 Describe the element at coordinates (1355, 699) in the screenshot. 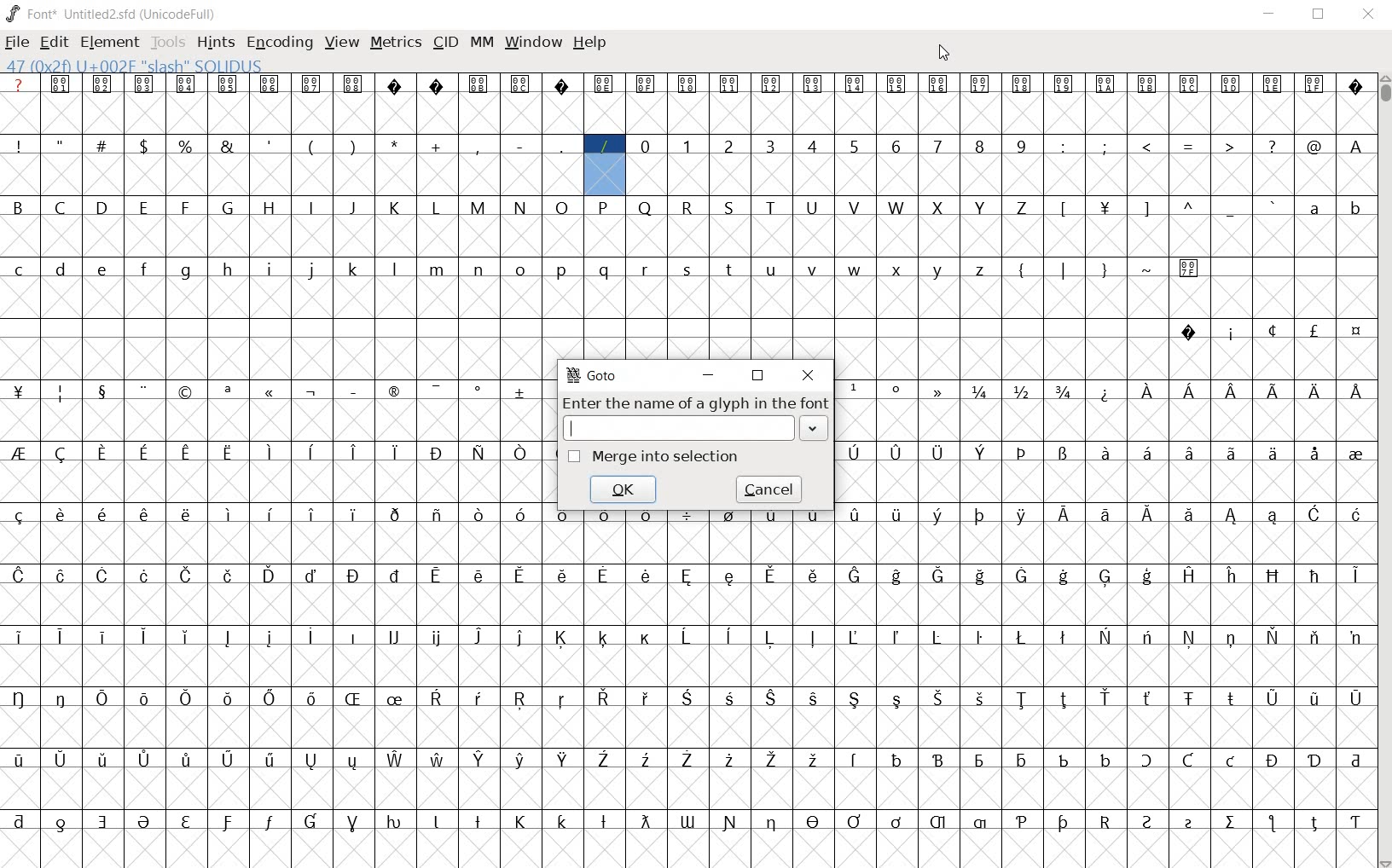

I see `glyph` at that location.